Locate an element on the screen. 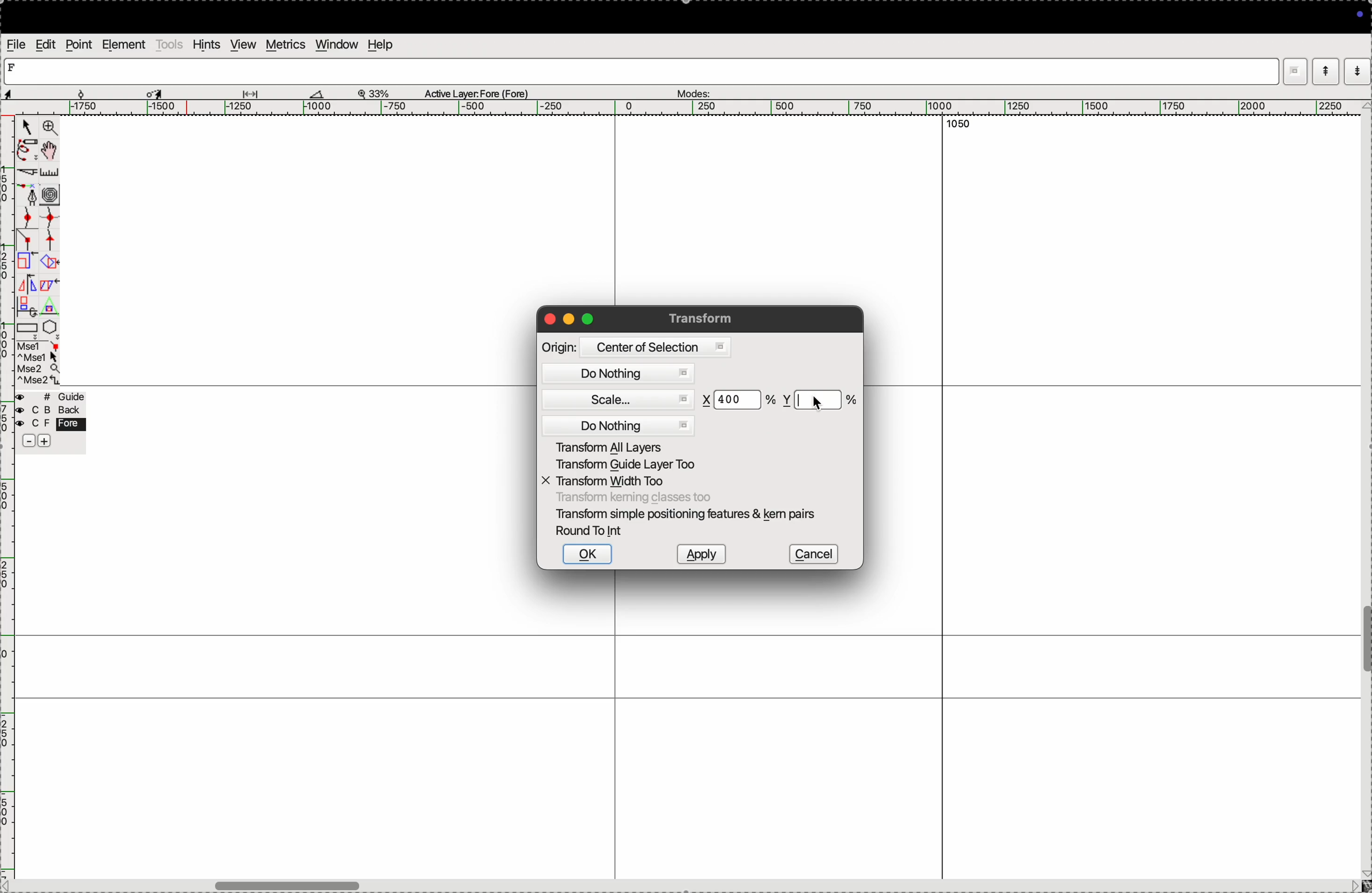 The image size is (1372, 893). add is located at coordinates (46, 443).